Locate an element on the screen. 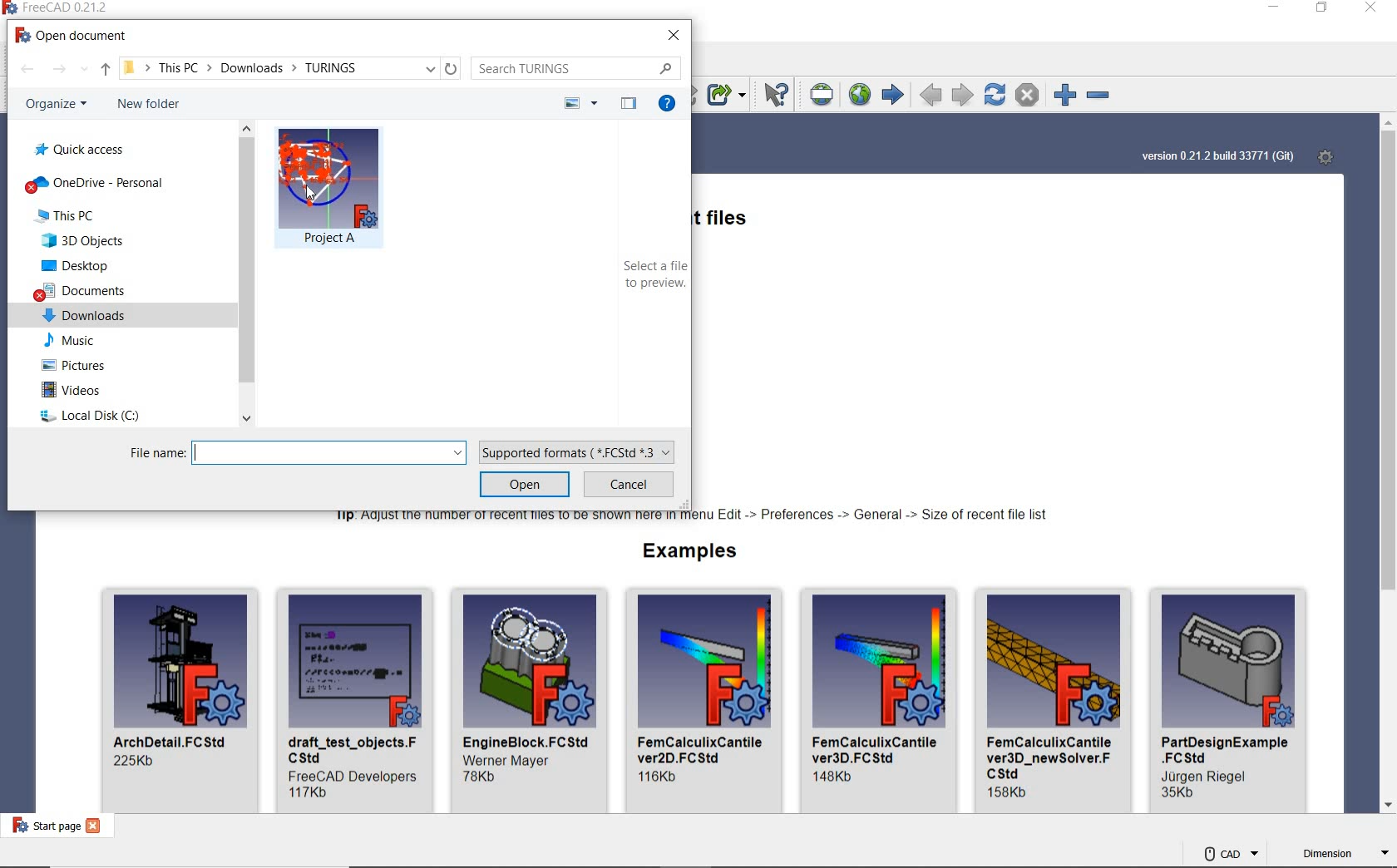 The image size is (1397, 868). SET URL is located at coordinates (823, 95).